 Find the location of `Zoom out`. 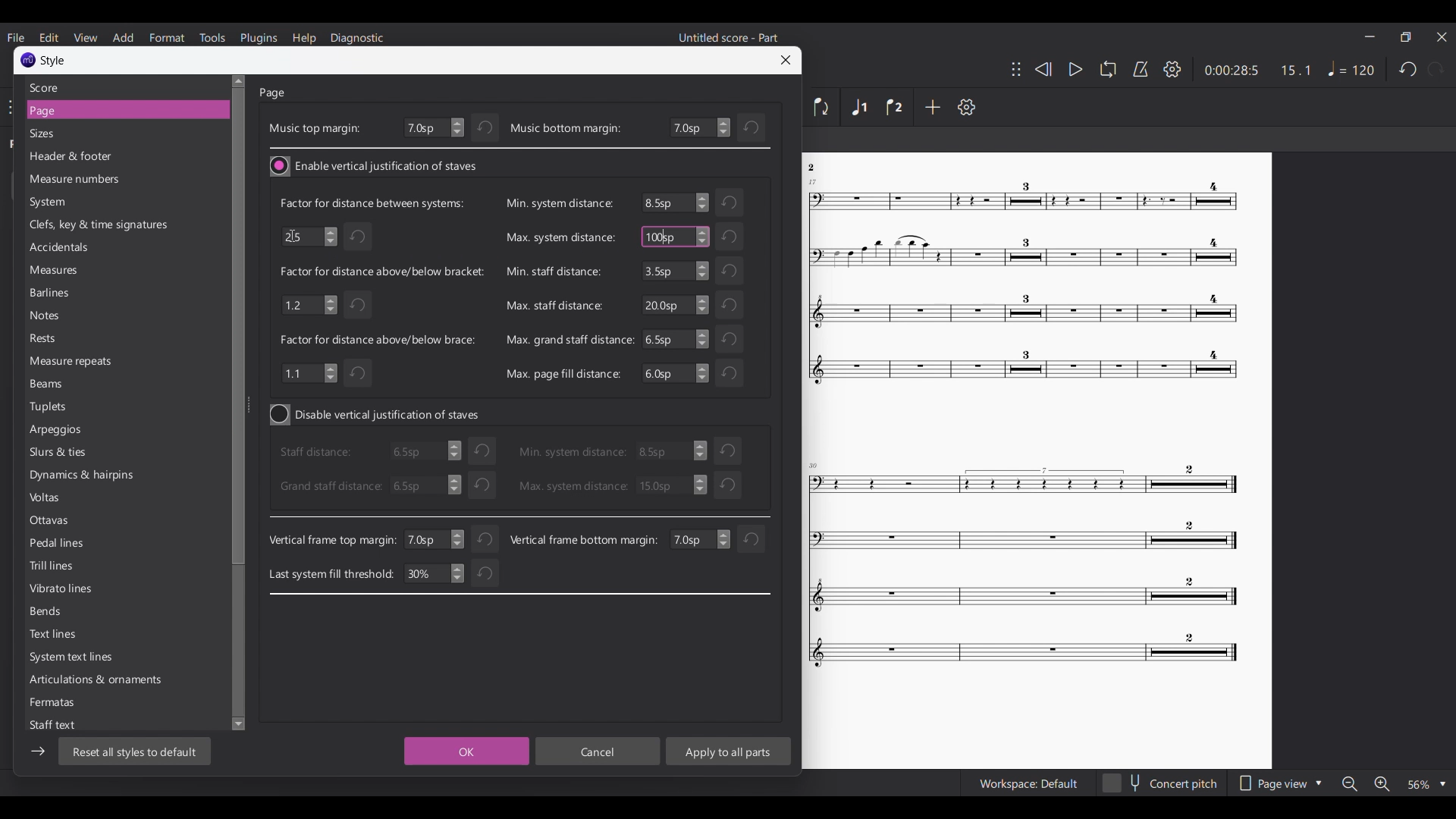

Zoom out is located at coordinates (1350, 784).